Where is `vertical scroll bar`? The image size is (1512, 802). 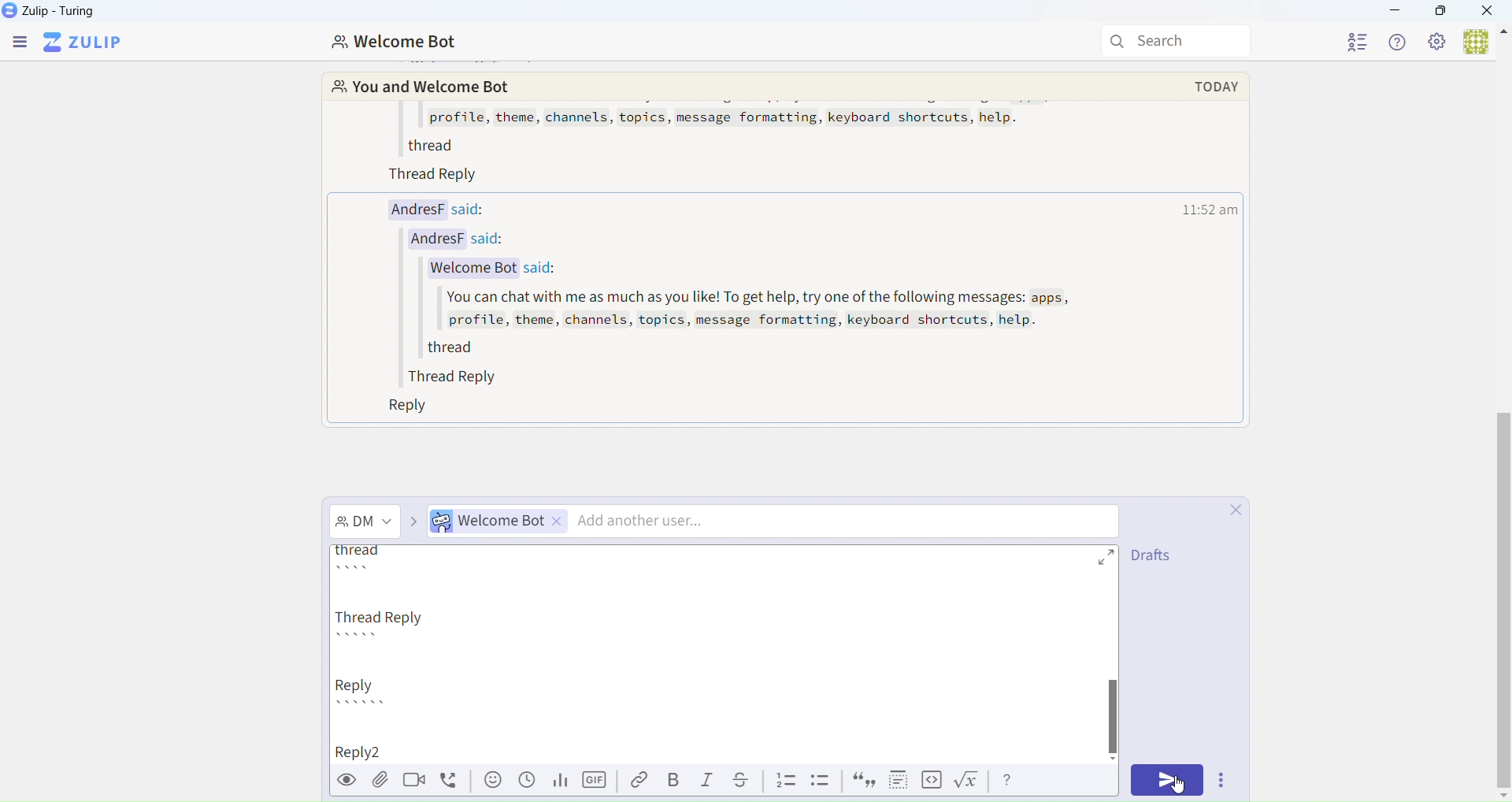 vertical scroll bar is located at coordinates (1503, 600).